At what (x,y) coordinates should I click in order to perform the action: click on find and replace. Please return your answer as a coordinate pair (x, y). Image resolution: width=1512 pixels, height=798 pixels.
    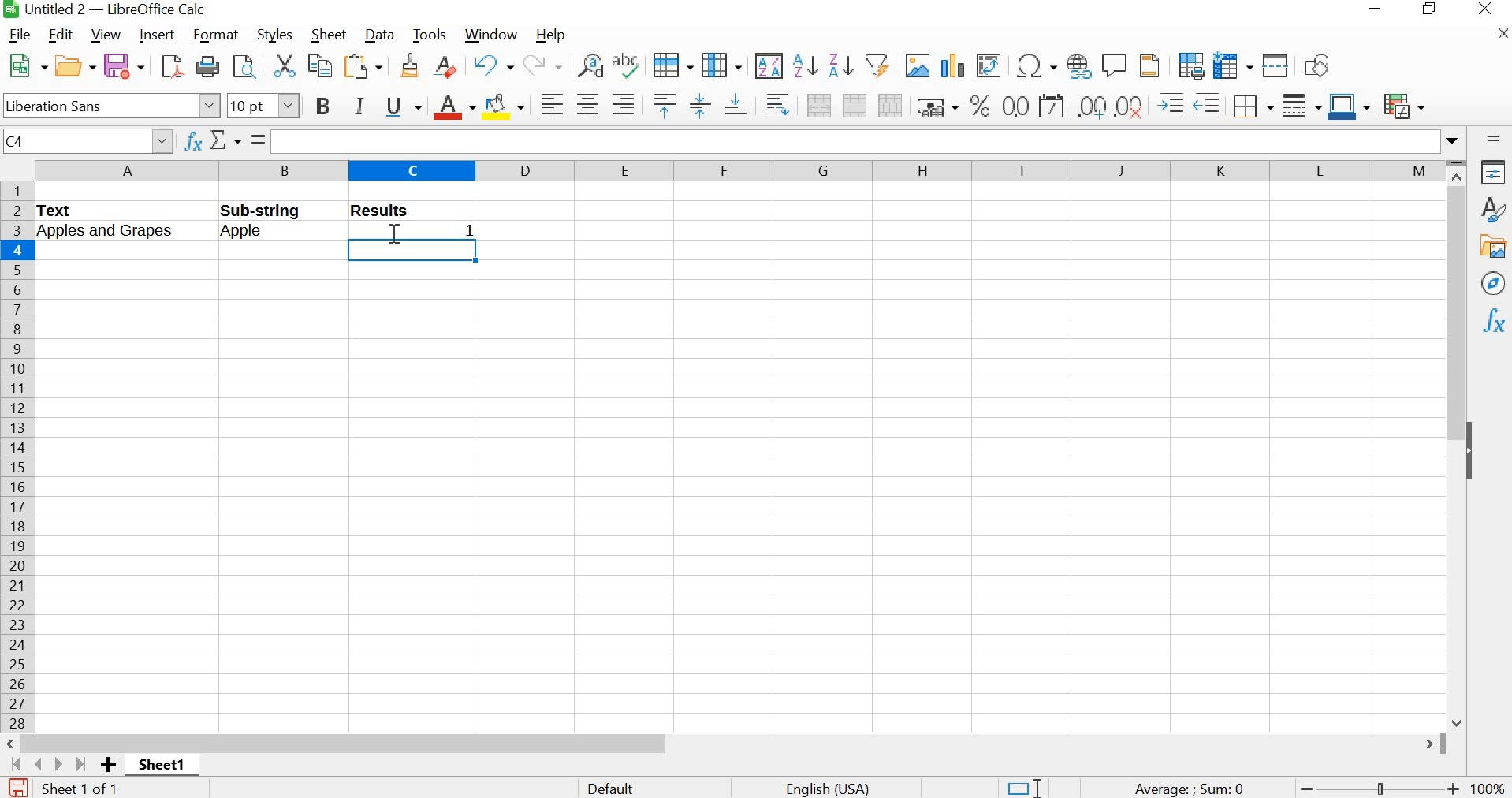
    Looking at the image, I should click on (587, 63).